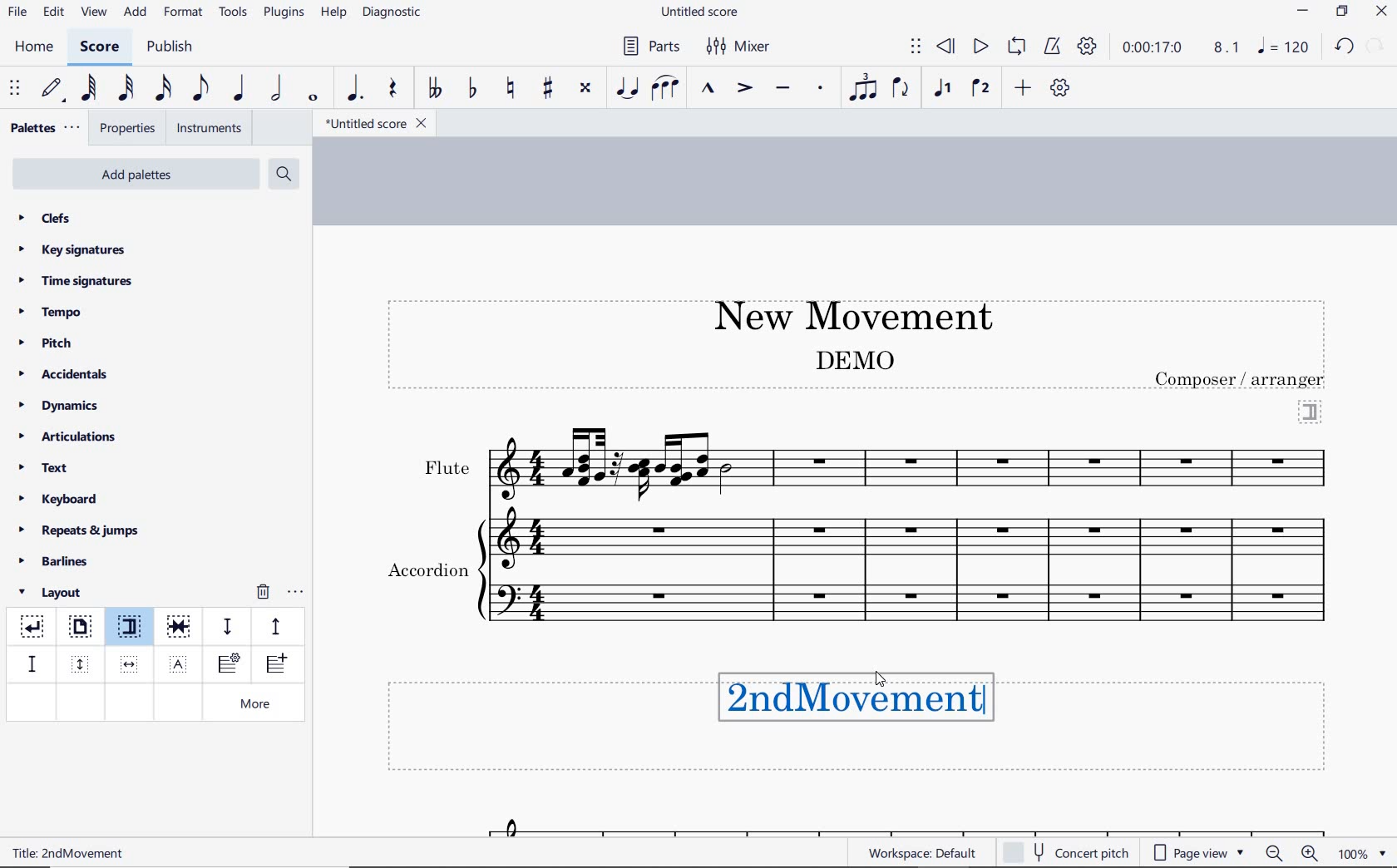 The height and width of the screenshot is (868, 1397). What do you see at coordinates (229, 664) in the screenshot?
I see `insert staff type change` at bounding box center [229, 664].